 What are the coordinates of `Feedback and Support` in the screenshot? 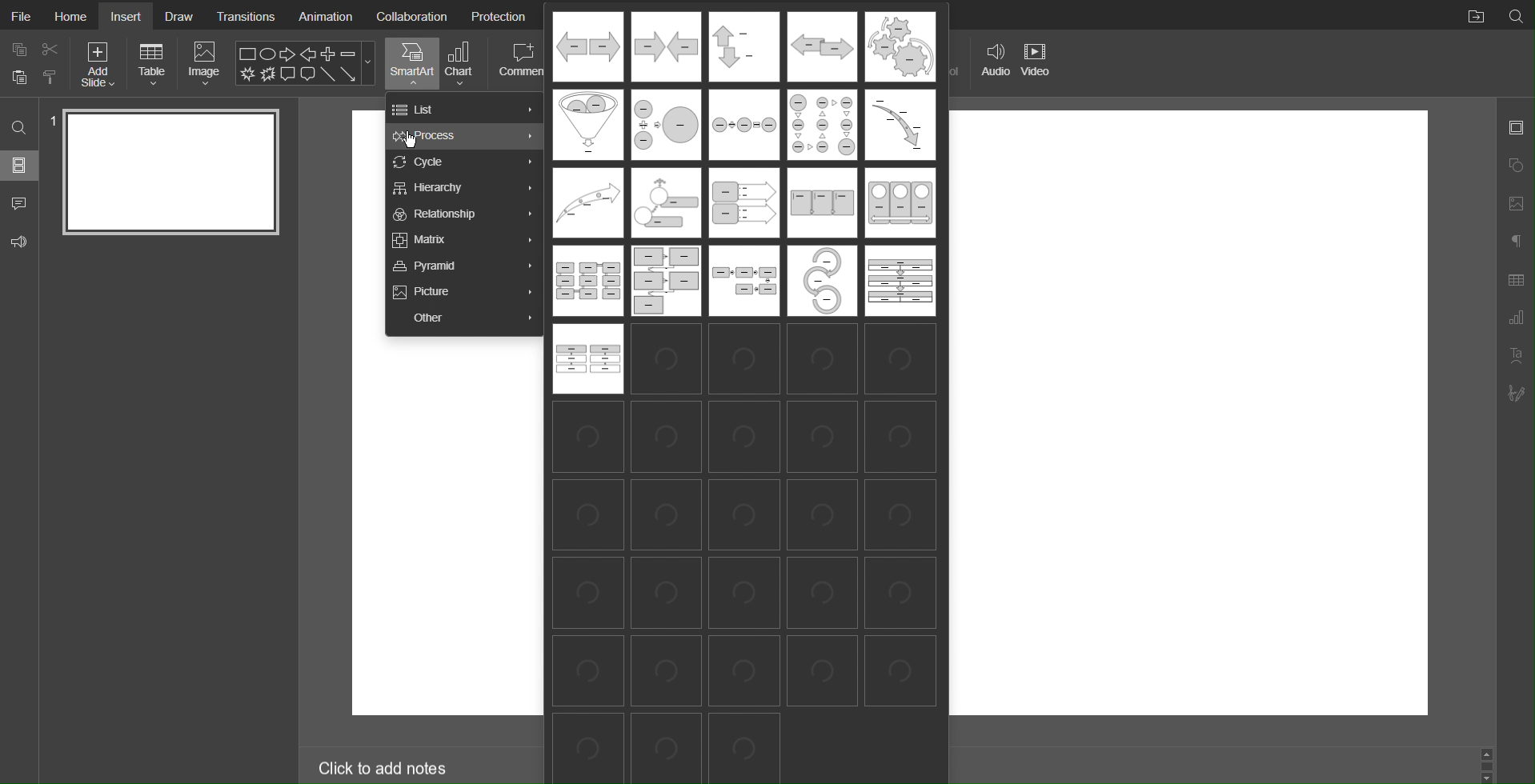 It's located at (20, 239).